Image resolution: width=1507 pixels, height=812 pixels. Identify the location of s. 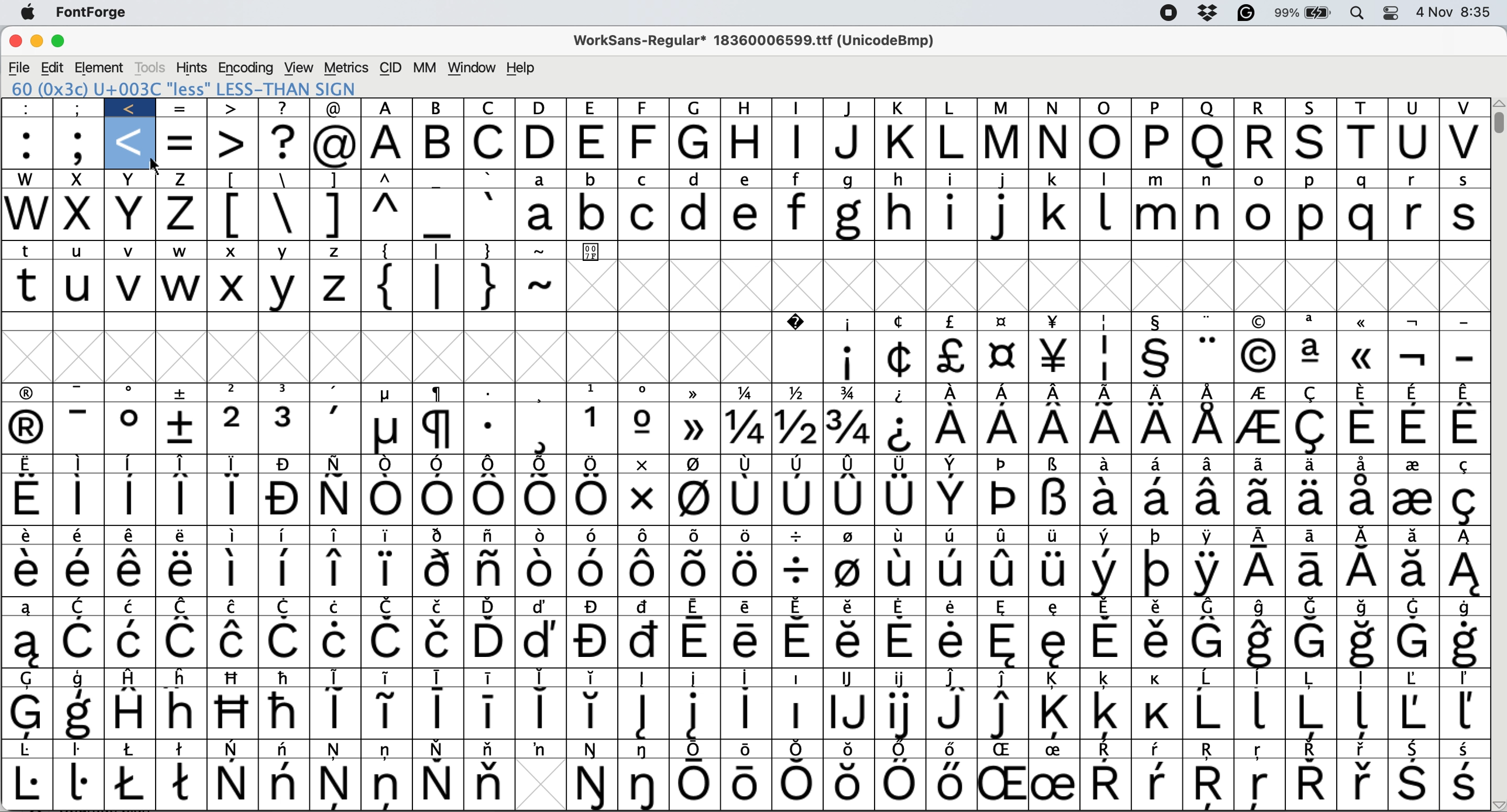
(1312, 144).